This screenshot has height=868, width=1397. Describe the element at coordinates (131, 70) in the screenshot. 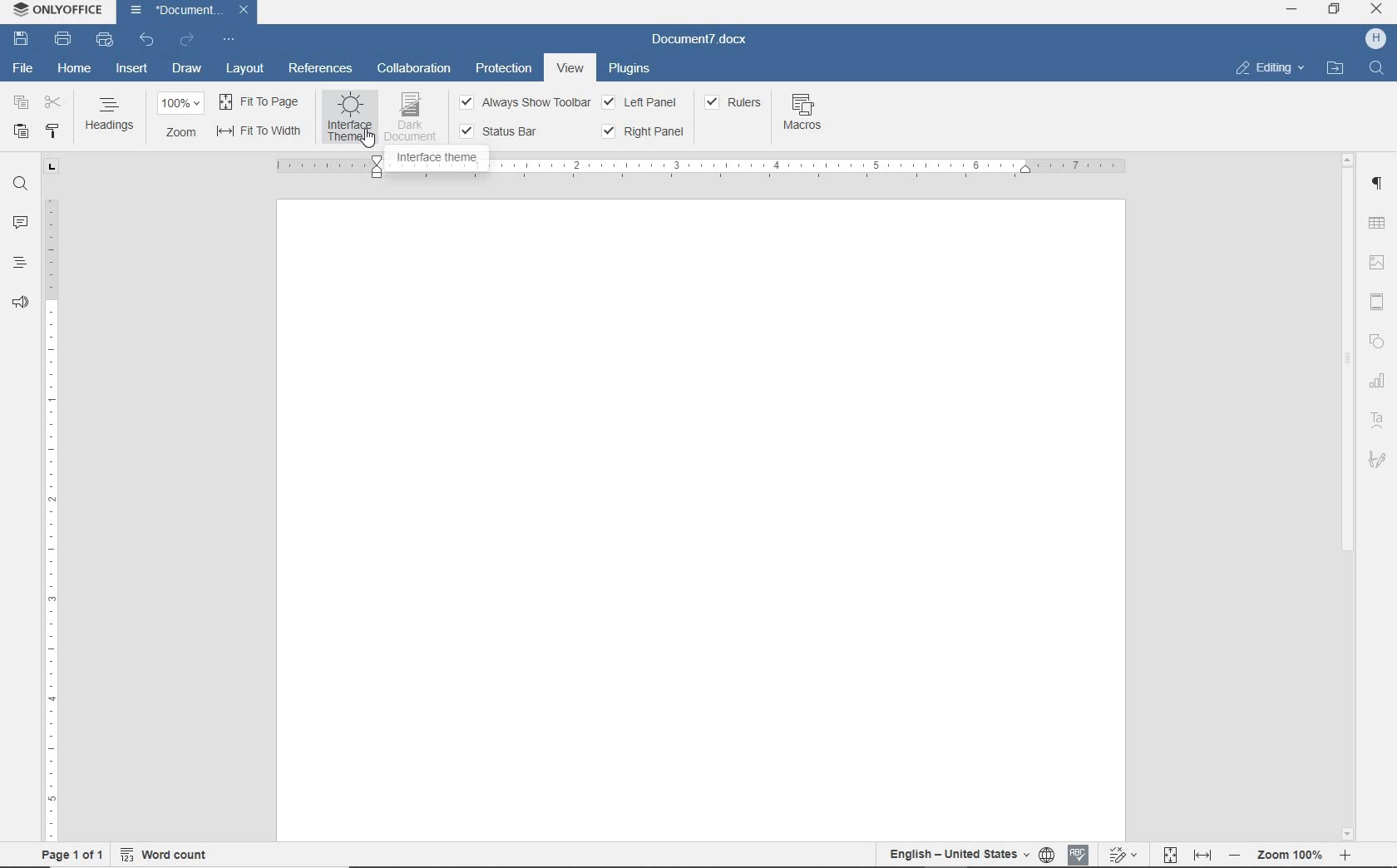

I see `INSERT` at that location.